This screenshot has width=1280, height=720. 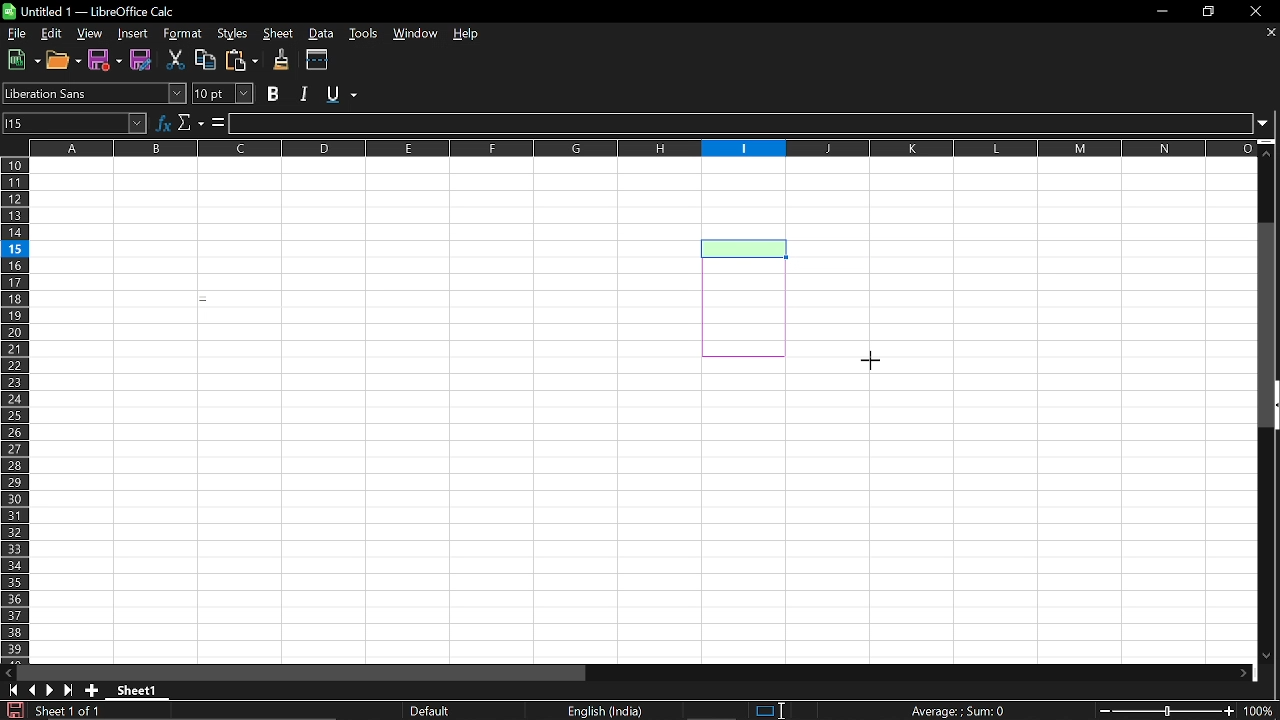 I want to click on Move down, so click(x=1272, y=656).